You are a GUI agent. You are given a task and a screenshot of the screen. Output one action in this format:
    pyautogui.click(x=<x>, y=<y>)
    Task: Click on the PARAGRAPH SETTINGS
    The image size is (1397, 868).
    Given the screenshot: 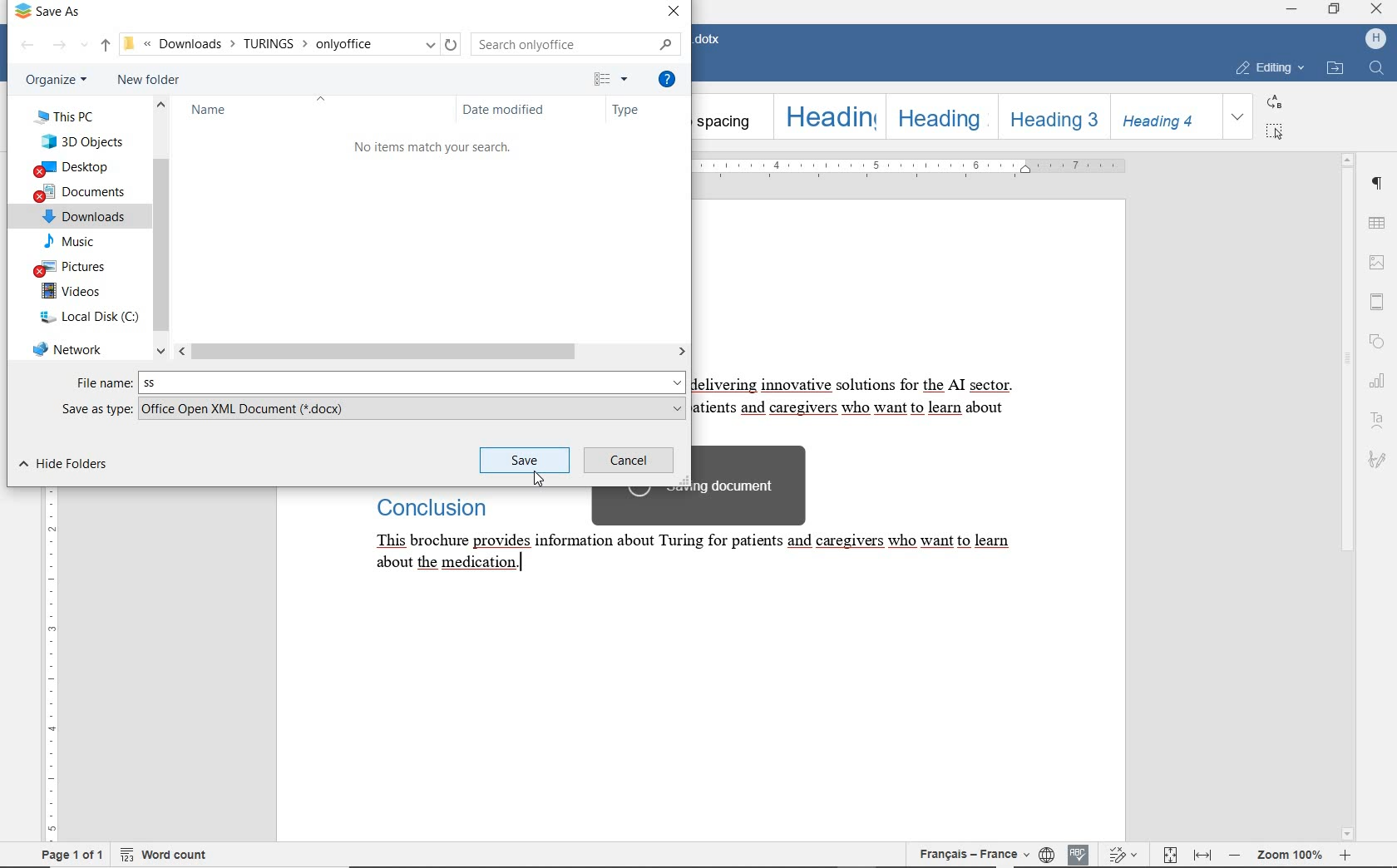 What is the action you would take?
    pyautogui.click(x=1379, y=185)
    